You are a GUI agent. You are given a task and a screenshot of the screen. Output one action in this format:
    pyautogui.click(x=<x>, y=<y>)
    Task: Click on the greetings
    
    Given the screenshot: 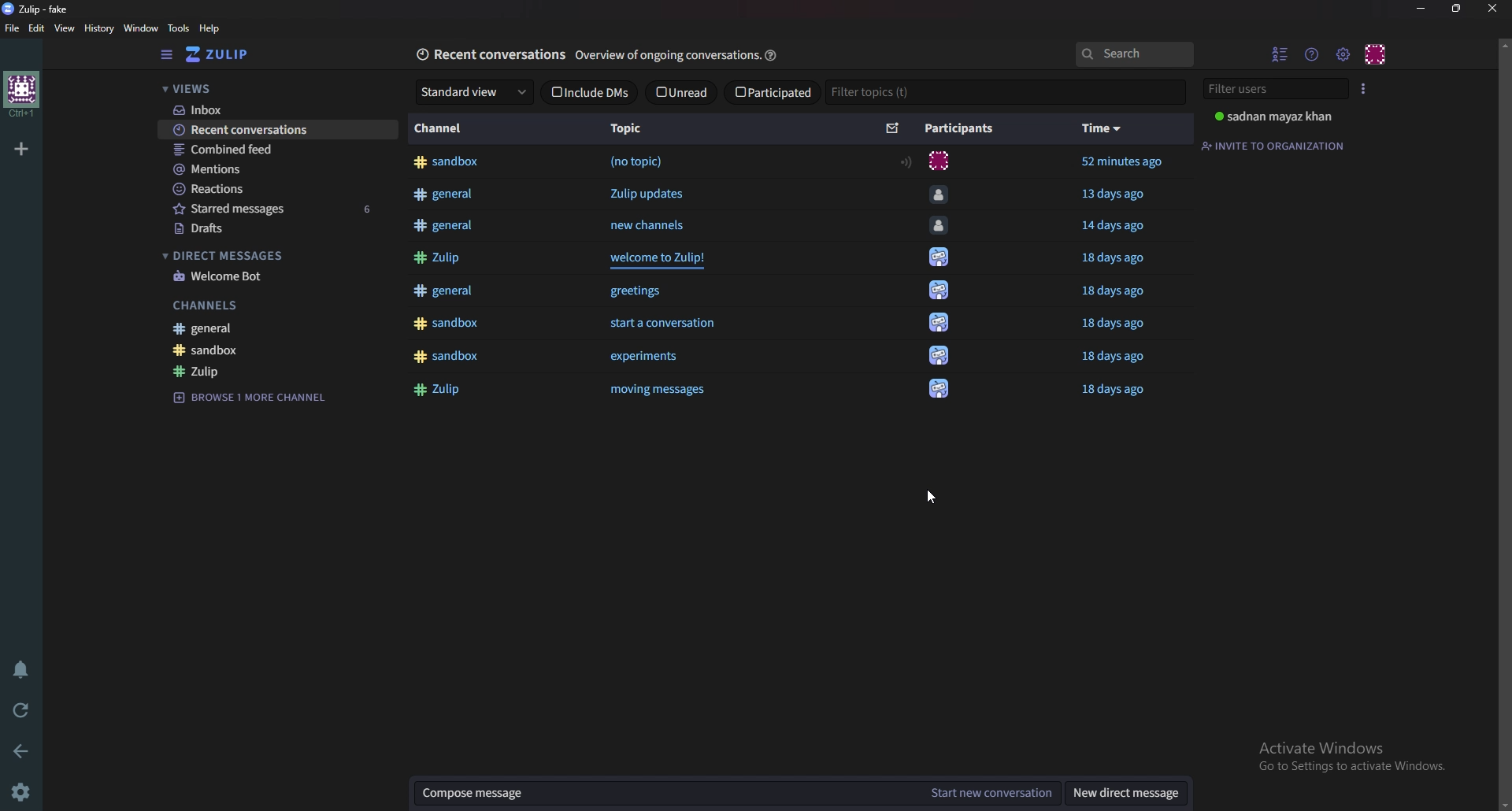 What is the action you would take?
    pyautogui.click(x=638, y=293)
    